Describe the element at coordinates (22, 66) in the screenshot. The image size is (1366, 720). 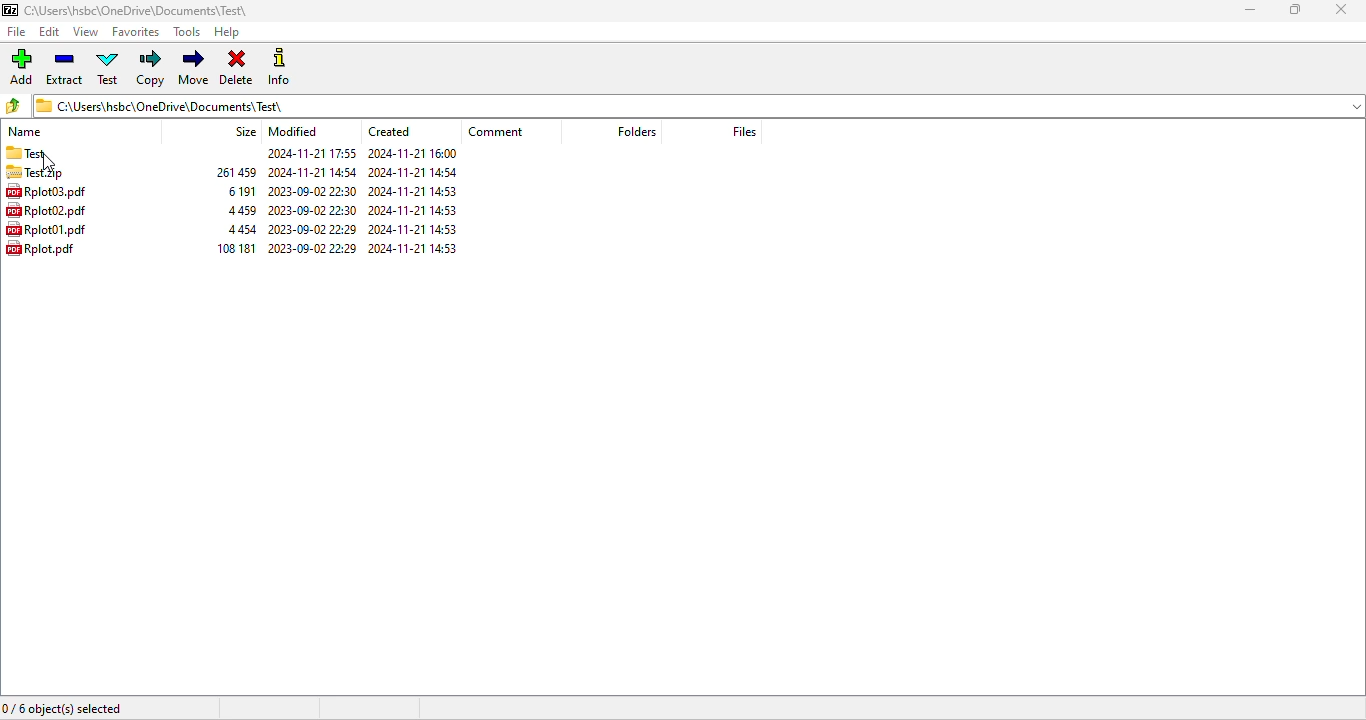
I see `add` at that location.